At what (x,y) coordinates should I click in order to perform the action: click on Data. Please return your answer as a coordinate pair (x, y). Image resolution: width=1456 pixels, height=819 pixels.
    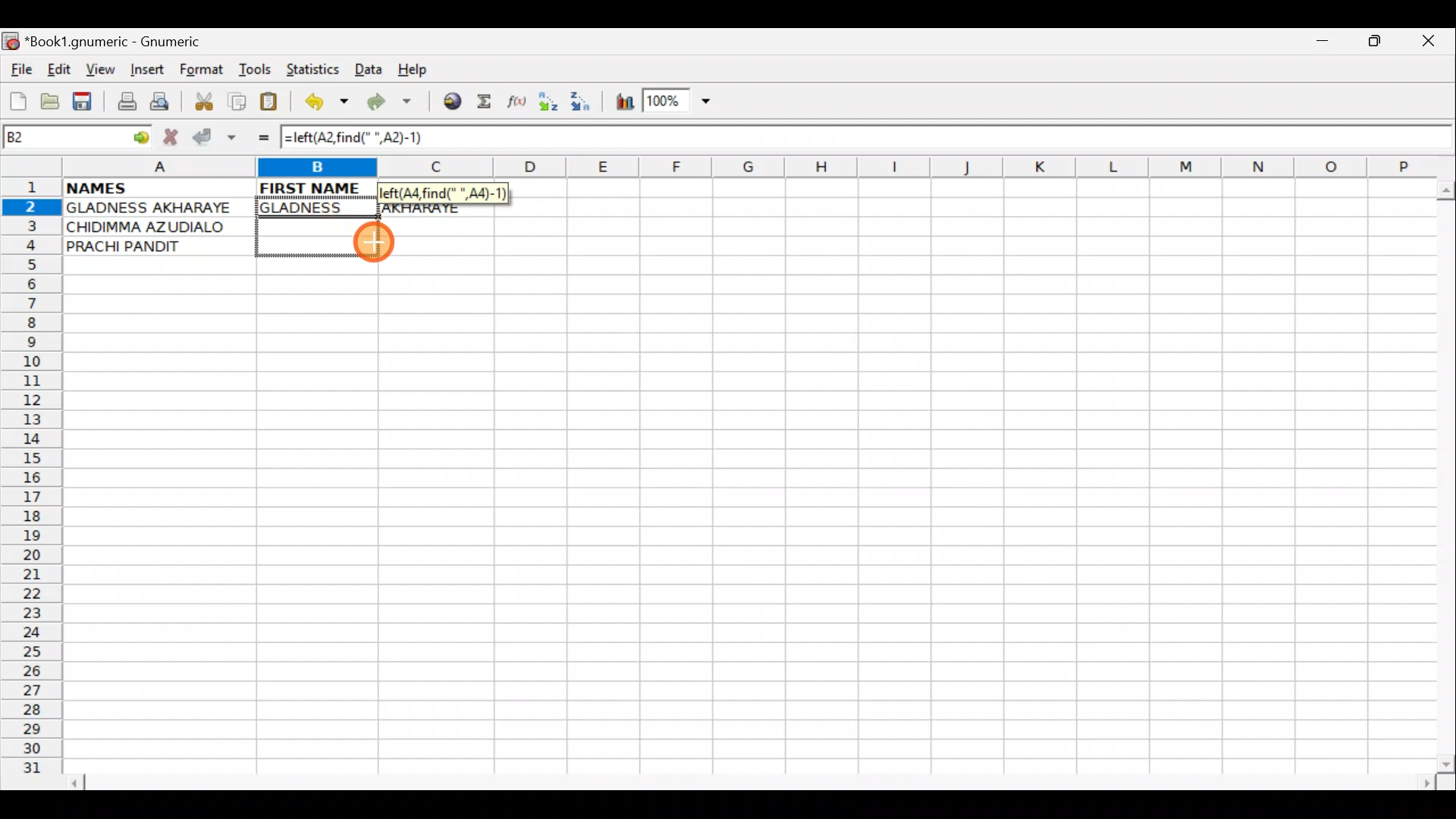
    Looking at the image, I should click on (369, 68).